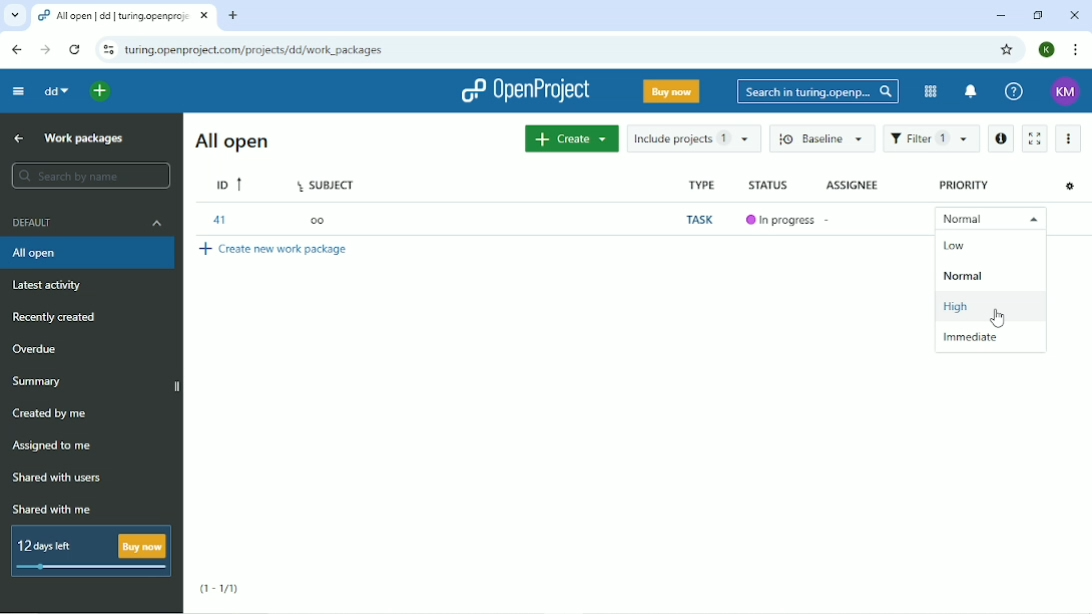  What do you see at coordinates (970, 92) in the screenshot?
I see `To notification center` at bounding box center [970, 92].